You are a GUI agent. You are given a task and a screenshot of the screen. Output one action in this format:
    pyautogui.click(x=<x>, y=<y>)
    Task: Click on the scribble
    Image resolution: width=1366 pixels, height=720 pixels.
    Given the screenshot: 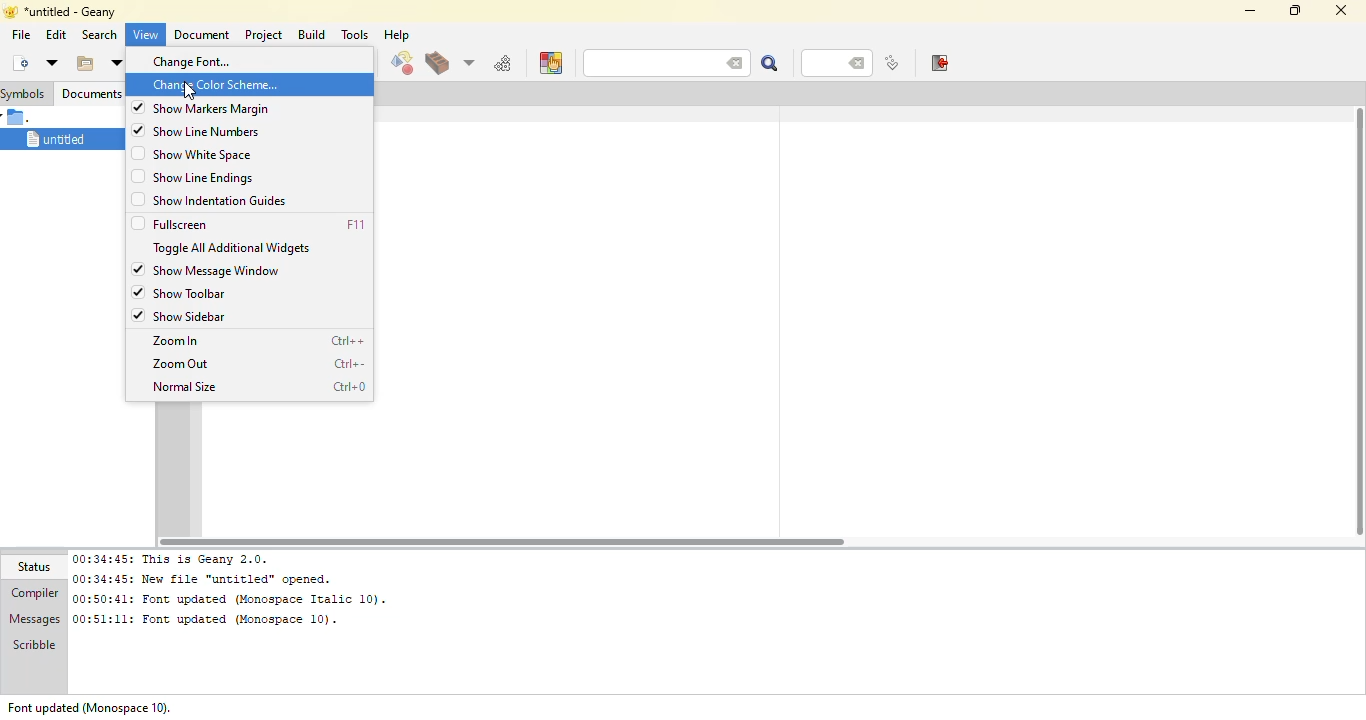 What is the action you would take?
    pyautogui.click(x=31, y=647)
    